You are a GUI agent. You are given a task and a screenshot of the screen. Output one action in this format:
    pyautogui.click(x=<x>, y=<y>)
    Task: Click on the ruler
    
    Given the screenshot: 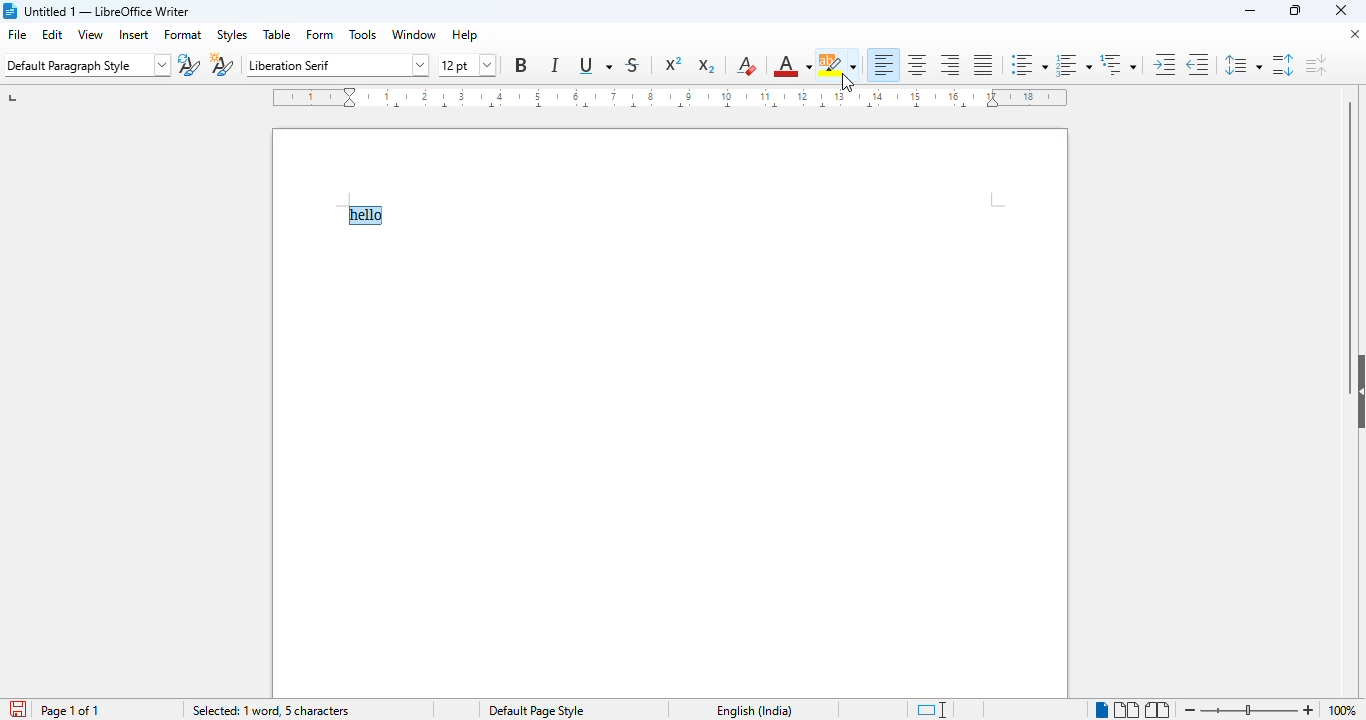 What is the action you would take?
    pyautogui.click(x=669, y=97)
    